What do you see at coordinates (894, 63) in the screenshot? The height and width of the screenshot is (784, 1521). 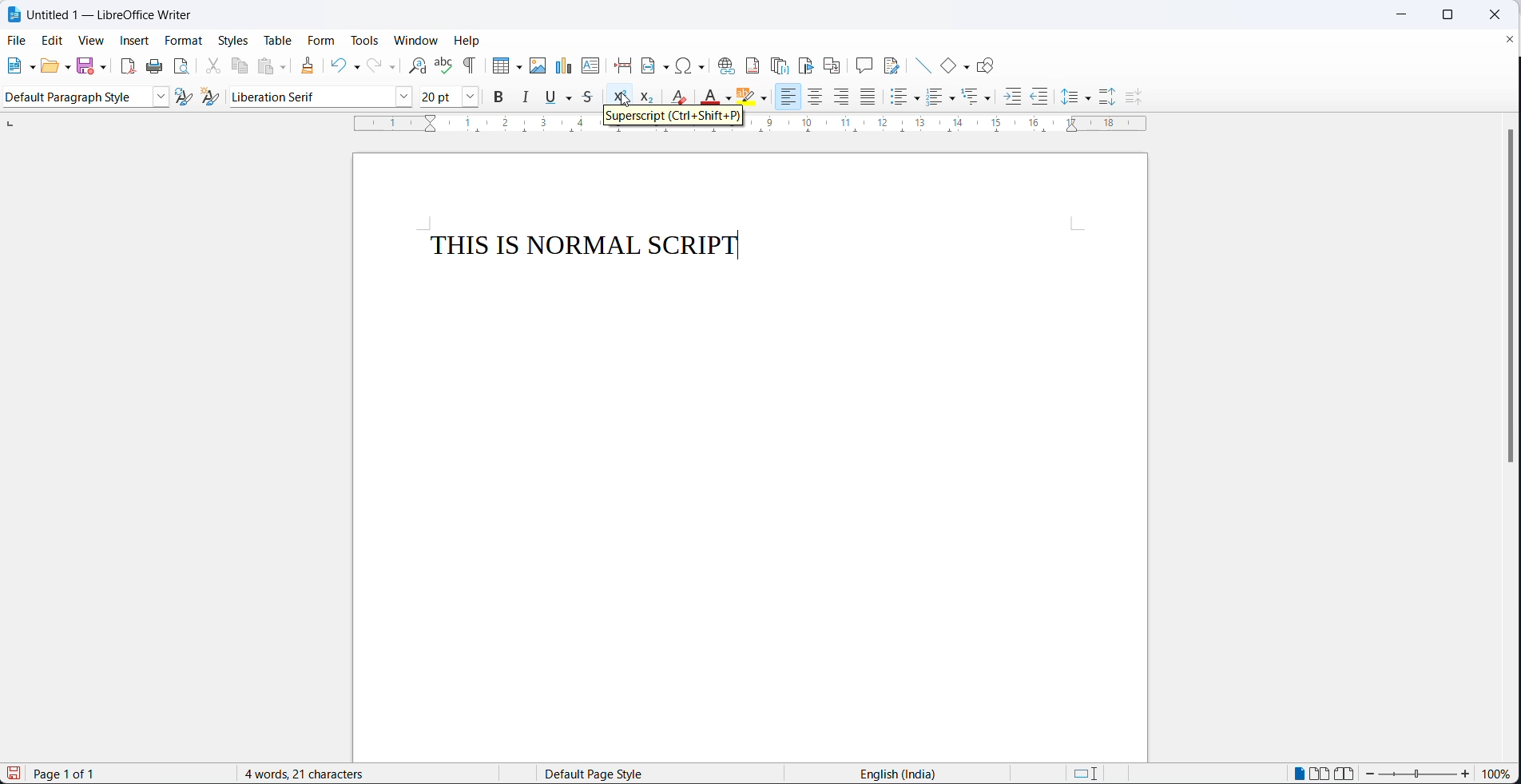 I see `show track changes functions` at bounding box center [894, 63].